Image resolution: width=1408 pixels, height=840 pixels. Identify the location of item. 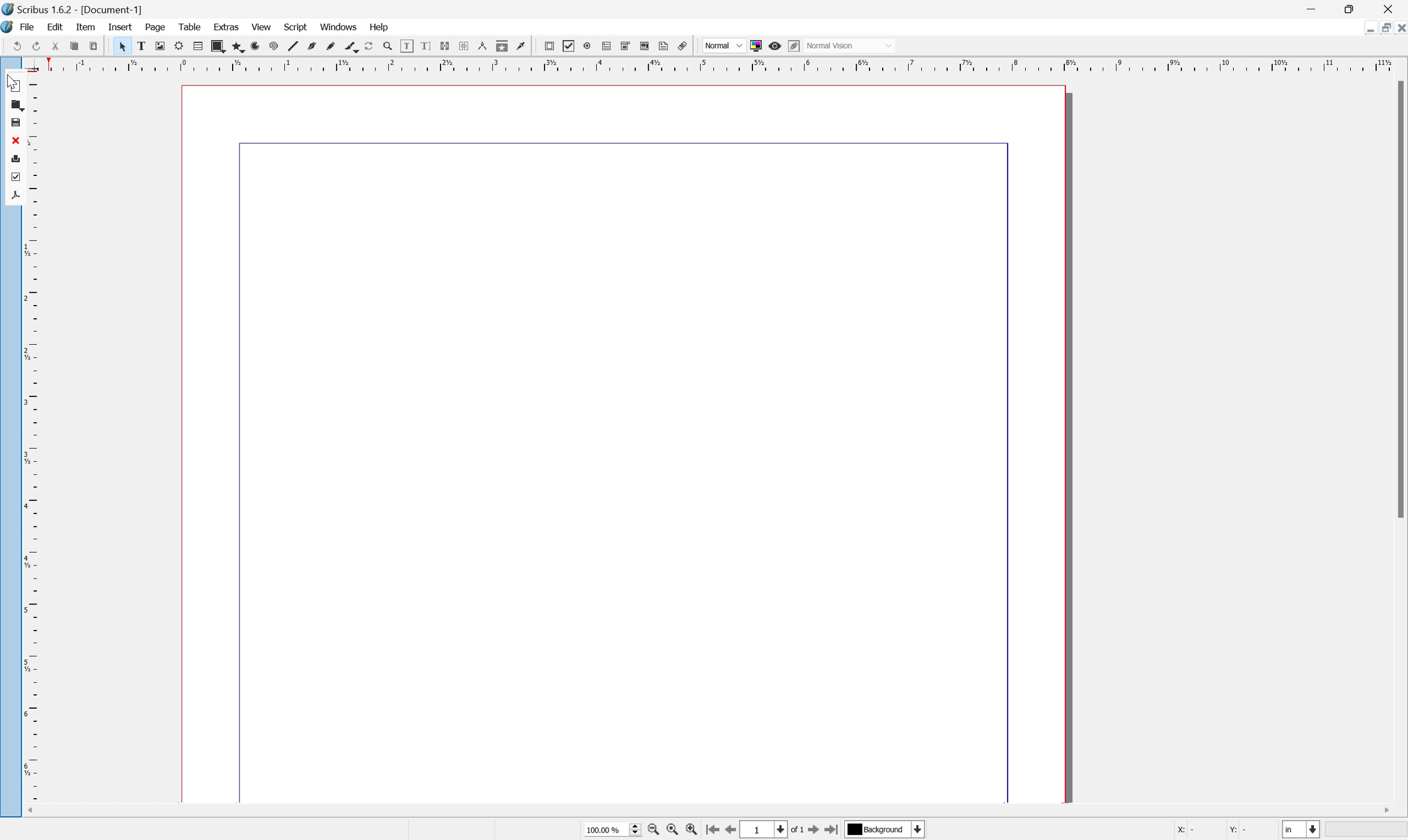
(87, 28).